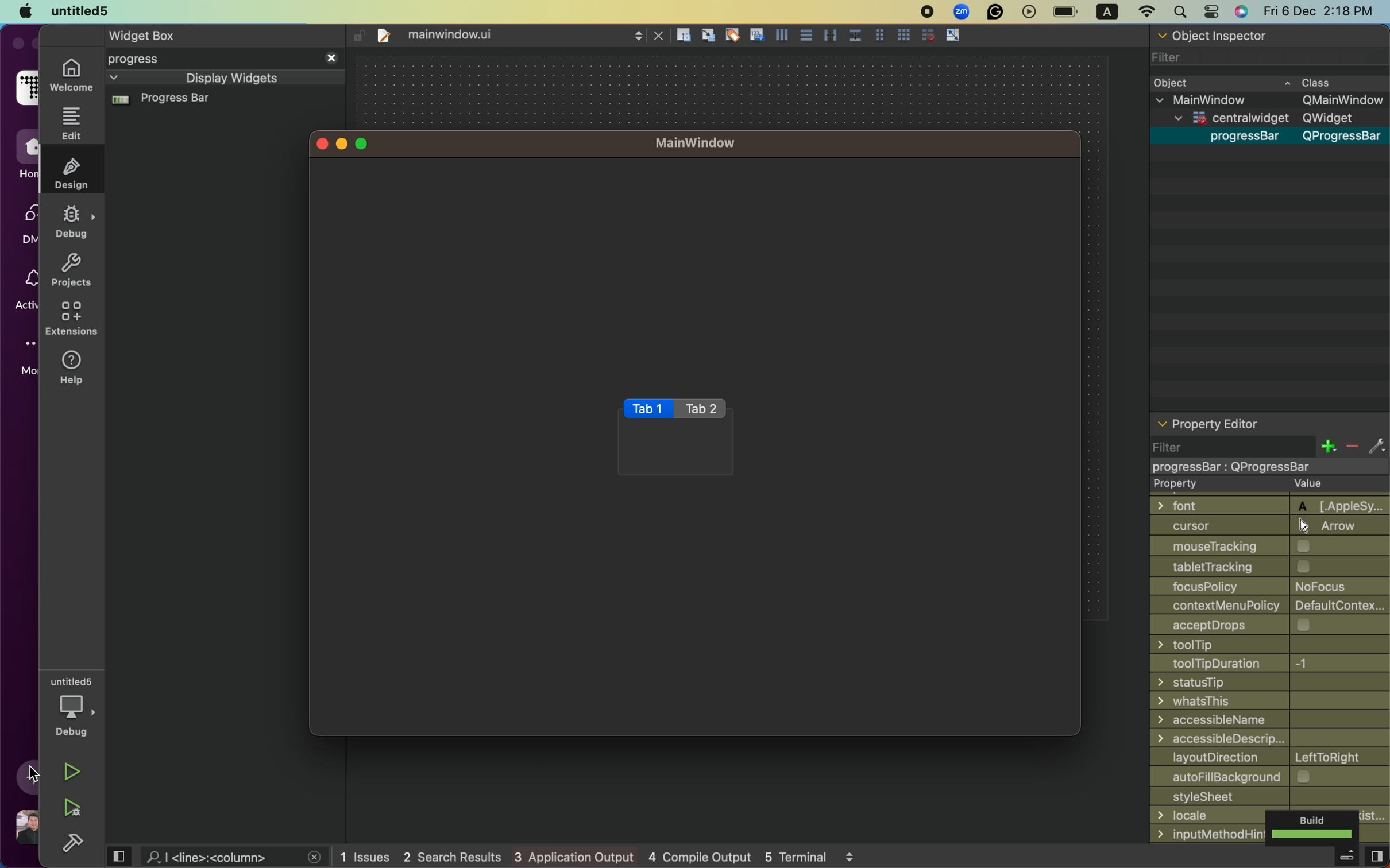  Describe the element at coordinates (596, 856) in the screenshot. I see `logs` at that location.